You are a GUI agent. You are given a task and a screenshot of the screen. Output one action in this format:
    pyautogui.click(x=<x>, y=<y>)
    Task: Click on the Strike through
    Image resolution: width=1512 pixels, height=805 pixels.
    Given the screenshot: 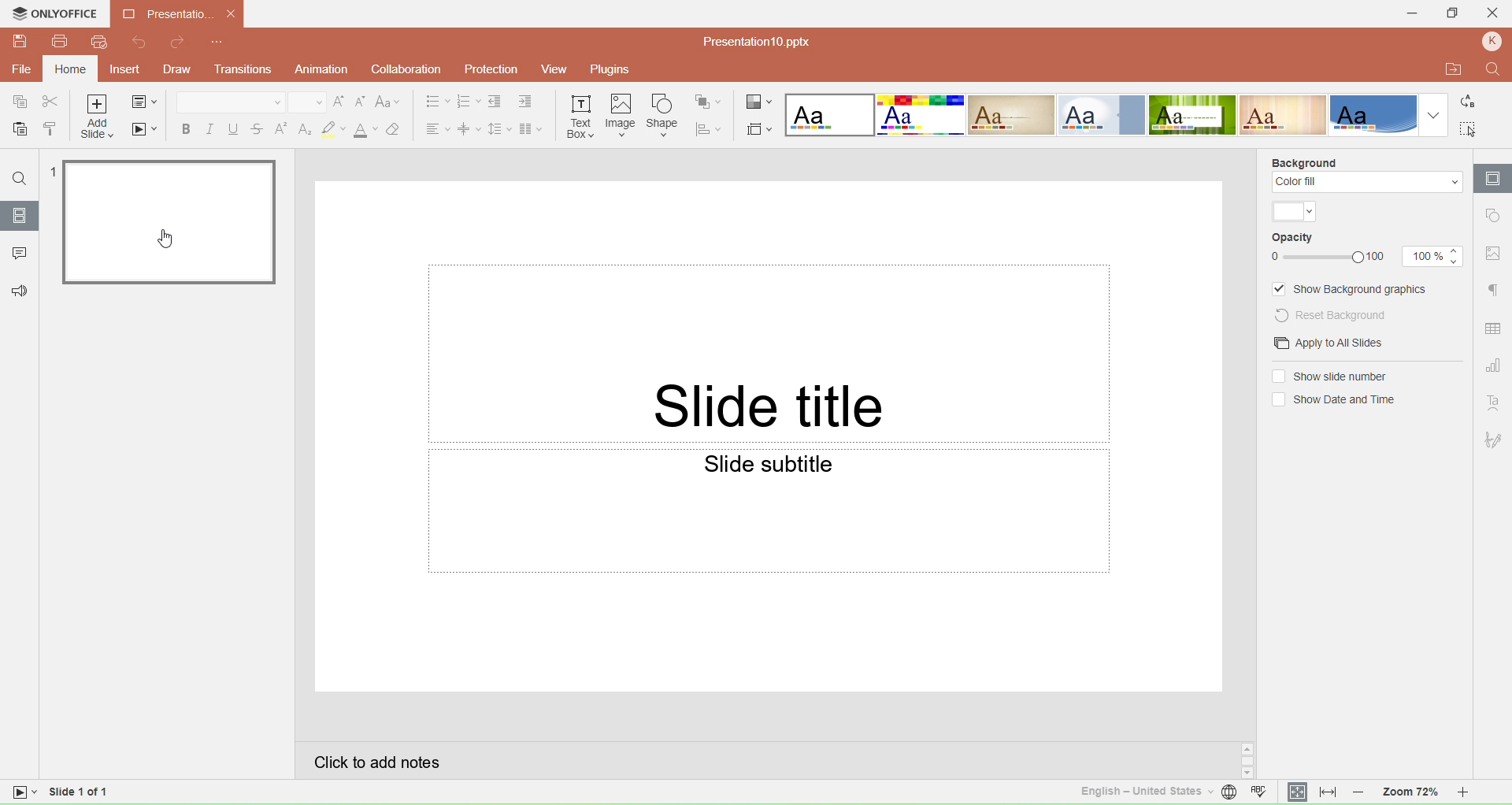 What is the action you would take?
    pyautogui.click(x=258, y=128)
    